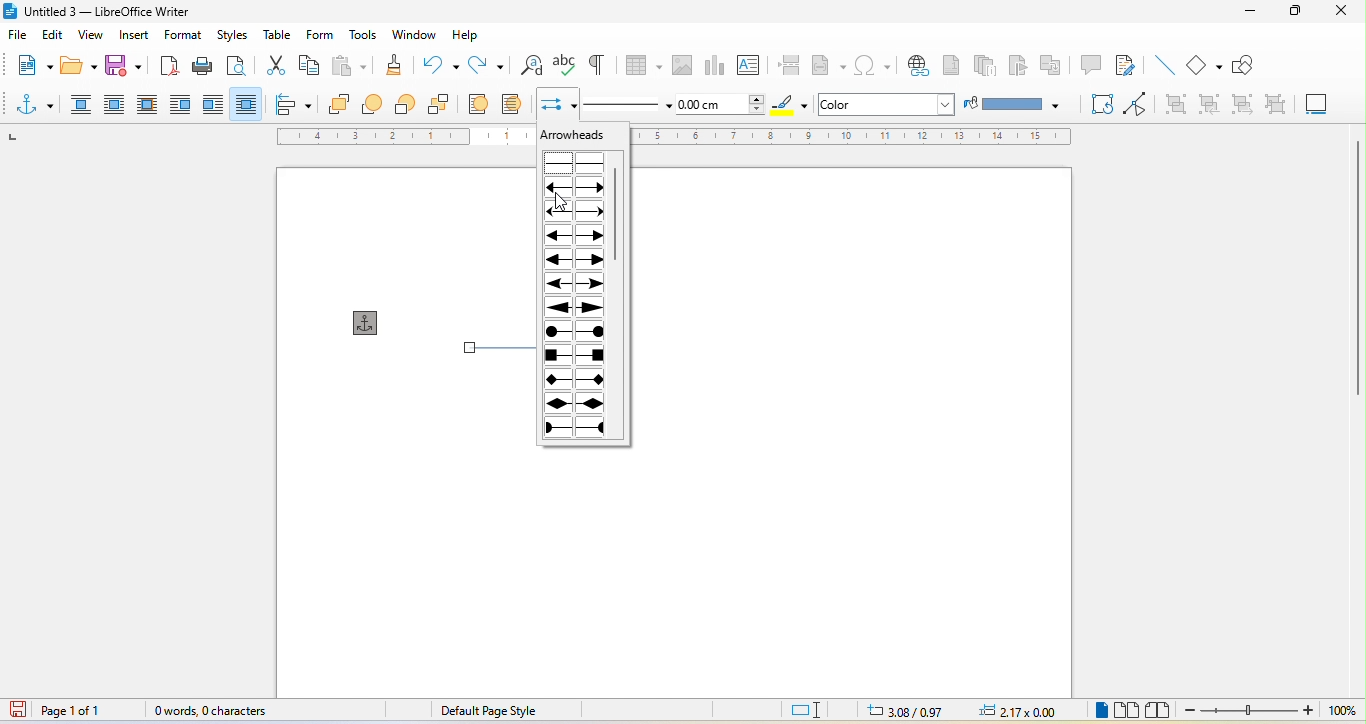 Image resolution: width=1366 pixels, height=724 pixels. What do you see at coordinates (1210, 103) in the screenshot?
I see `enter group` at bounding box center [1210, 103].